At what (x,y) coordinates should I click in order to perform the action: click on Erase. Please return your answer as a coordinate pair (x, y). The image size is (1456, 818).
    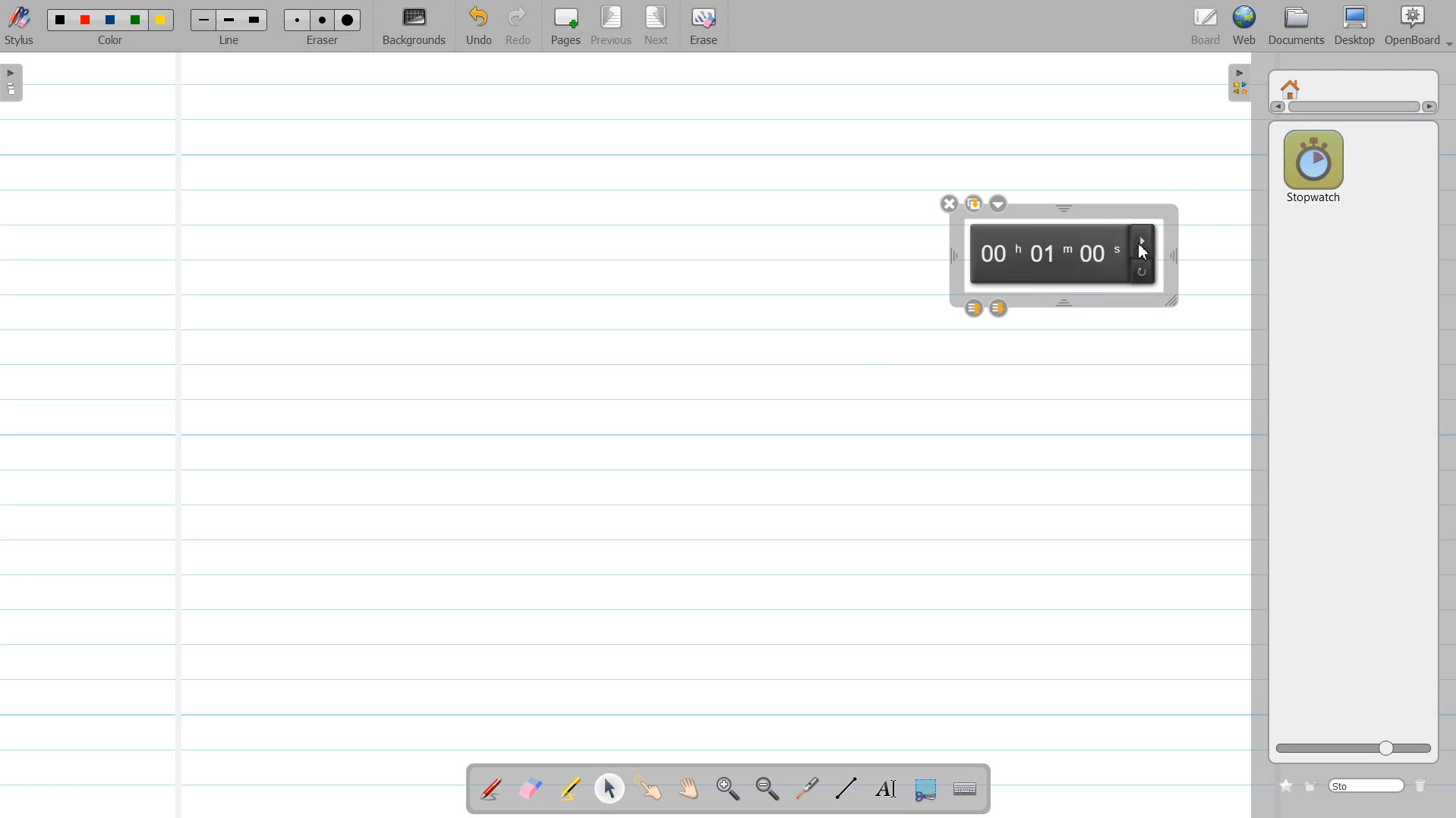
    Looking at the image, I should click on (704, 27).